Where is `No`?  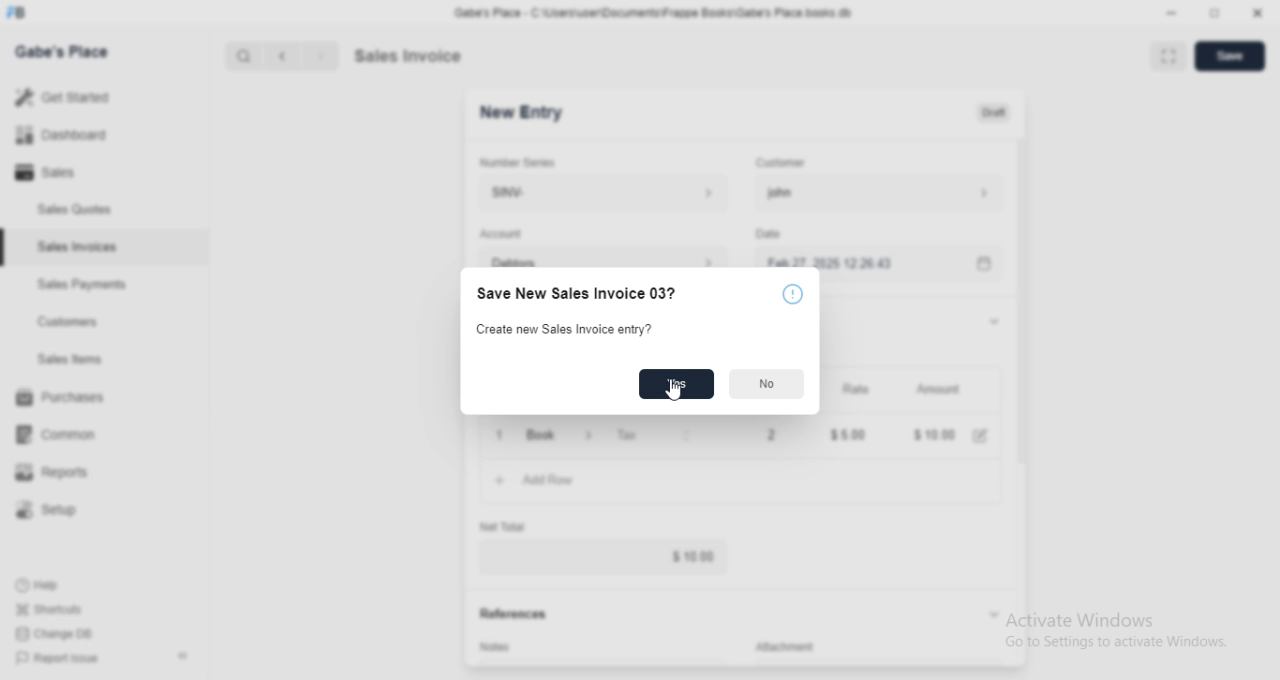
No is located at coordinates (768, 385).